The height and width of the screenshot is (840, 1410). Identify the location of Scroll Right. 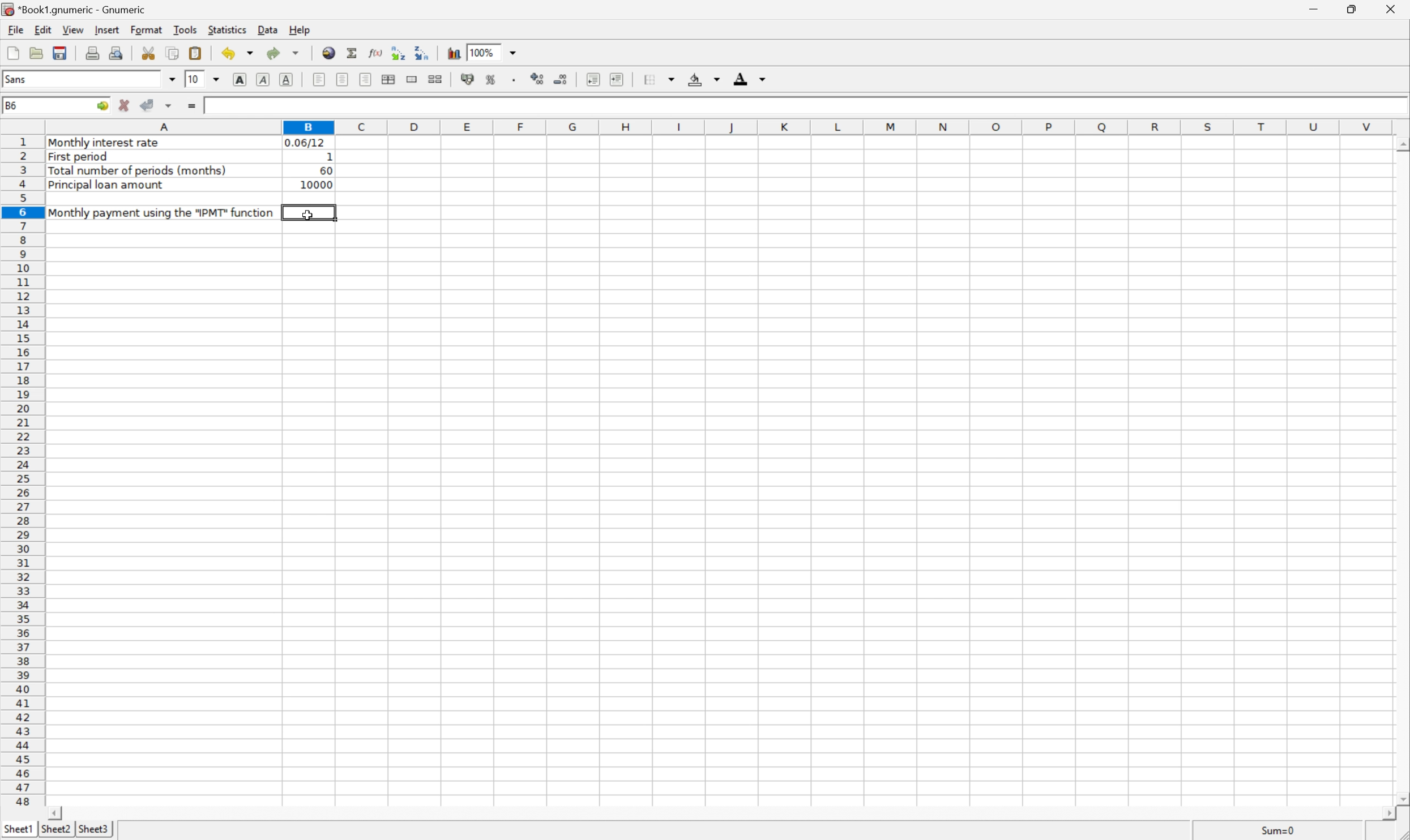
(1386, 814).